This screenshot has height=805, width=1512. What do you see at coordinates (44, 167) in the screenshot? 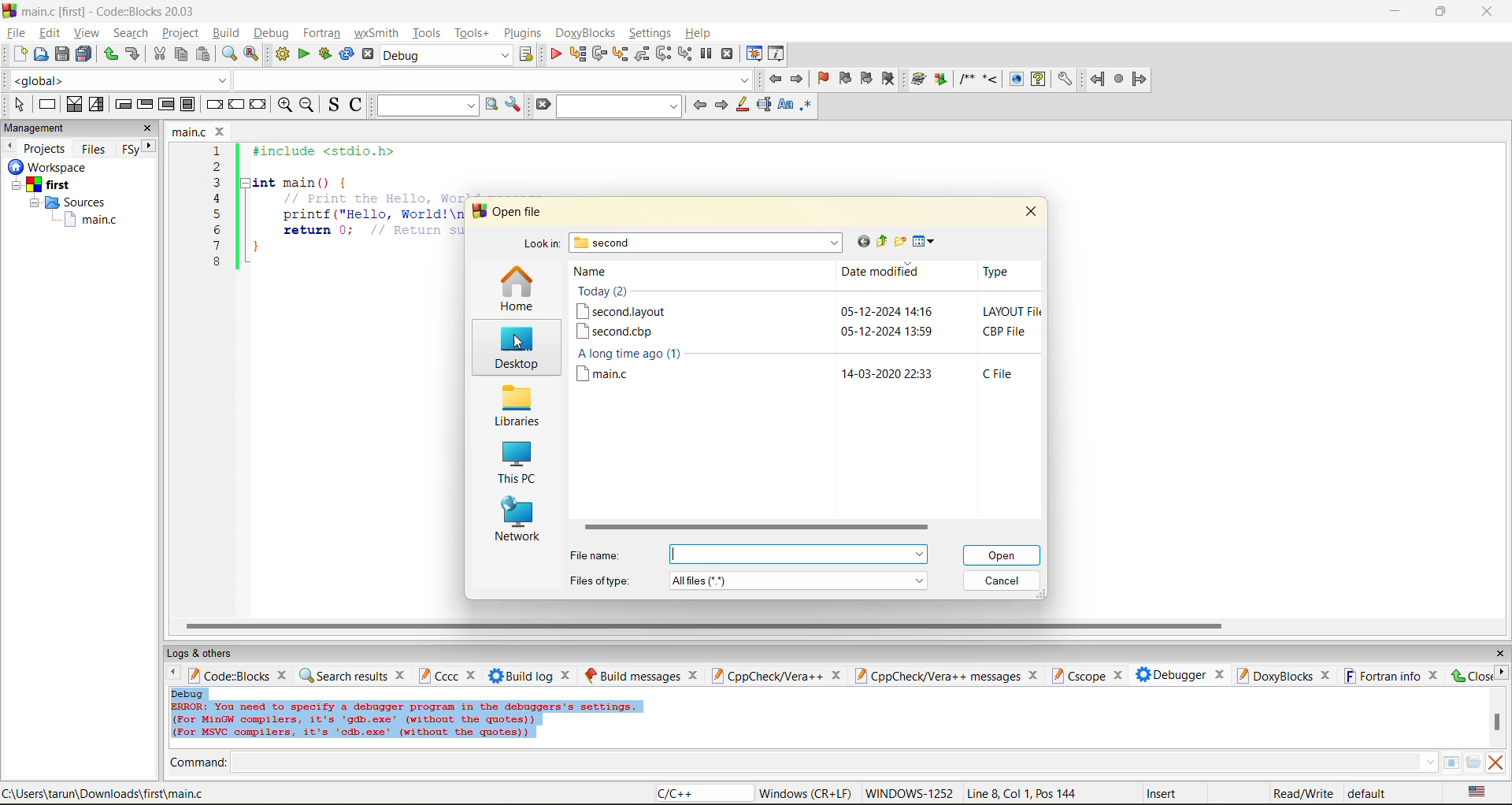
I see `` at bounding box center [44, 167].